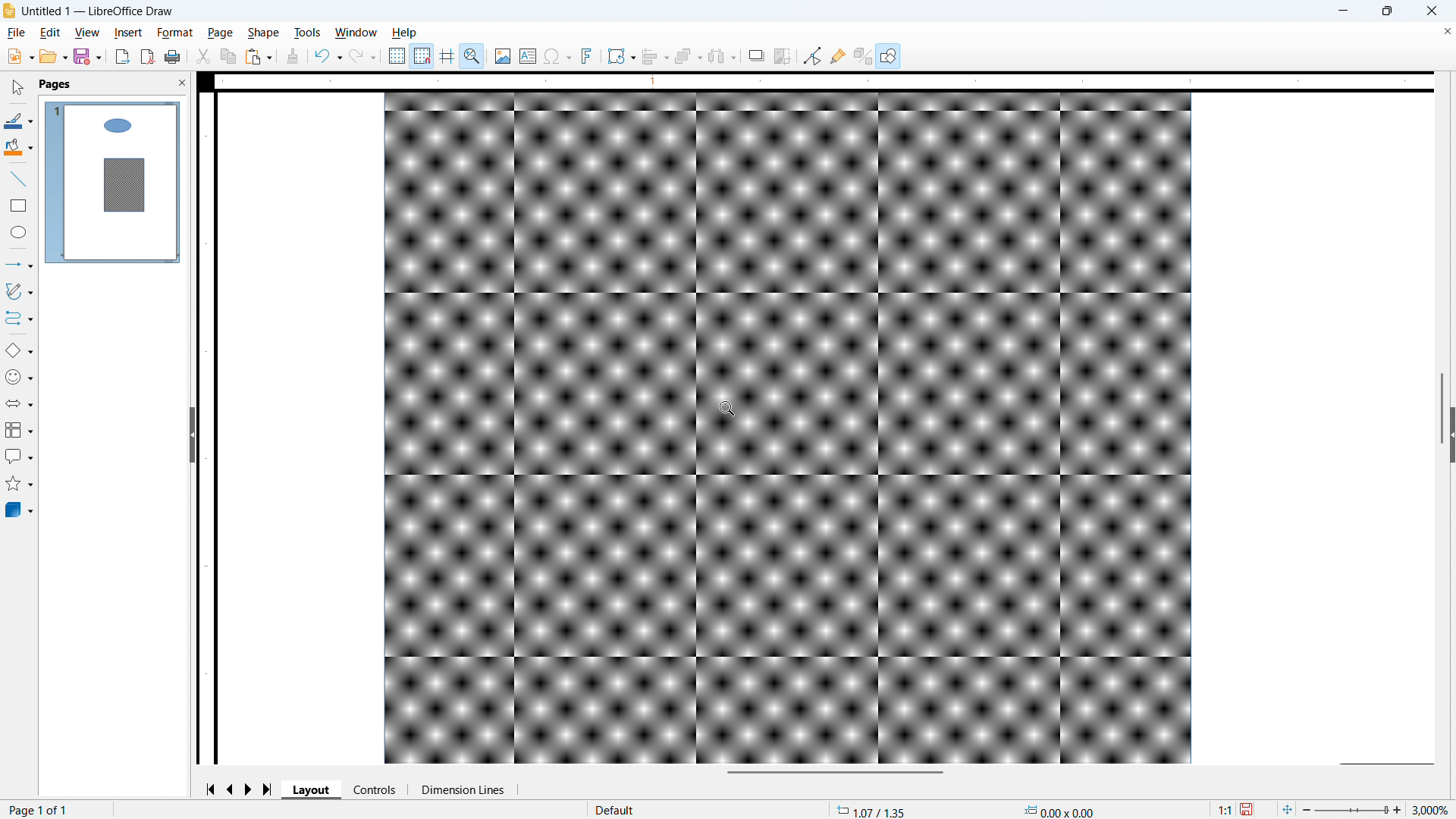 This screenshot has width=1456, height=819. What do you see at coordinates (405, 33) in the screenshot?
I see `Help ` at bounding box center [405, 33].